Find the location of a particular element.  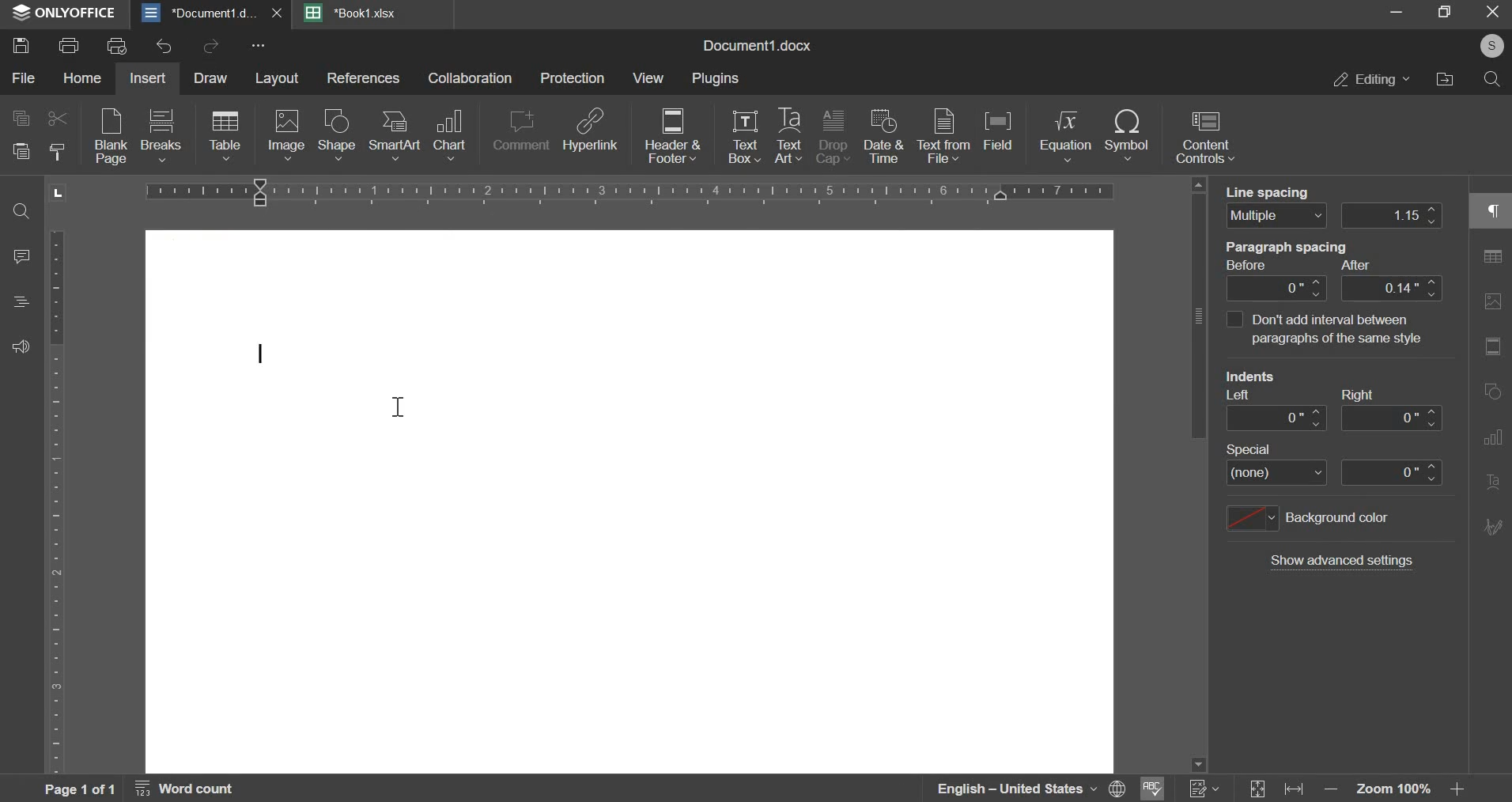

headings is located at coordinates (19, 302).